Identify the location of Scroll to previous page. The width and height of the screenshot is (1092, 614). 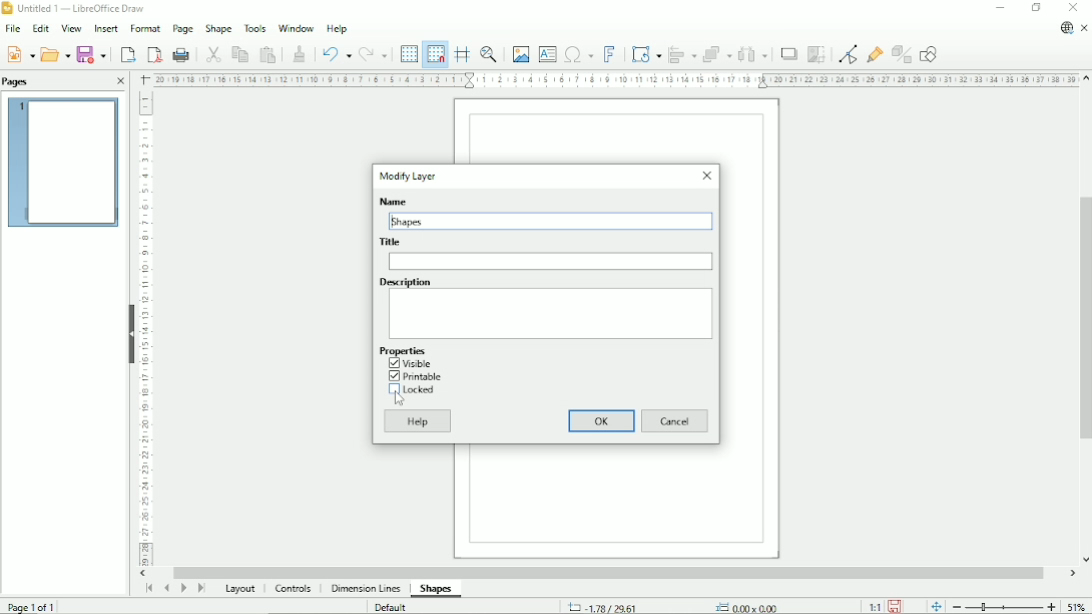
(166, 588).